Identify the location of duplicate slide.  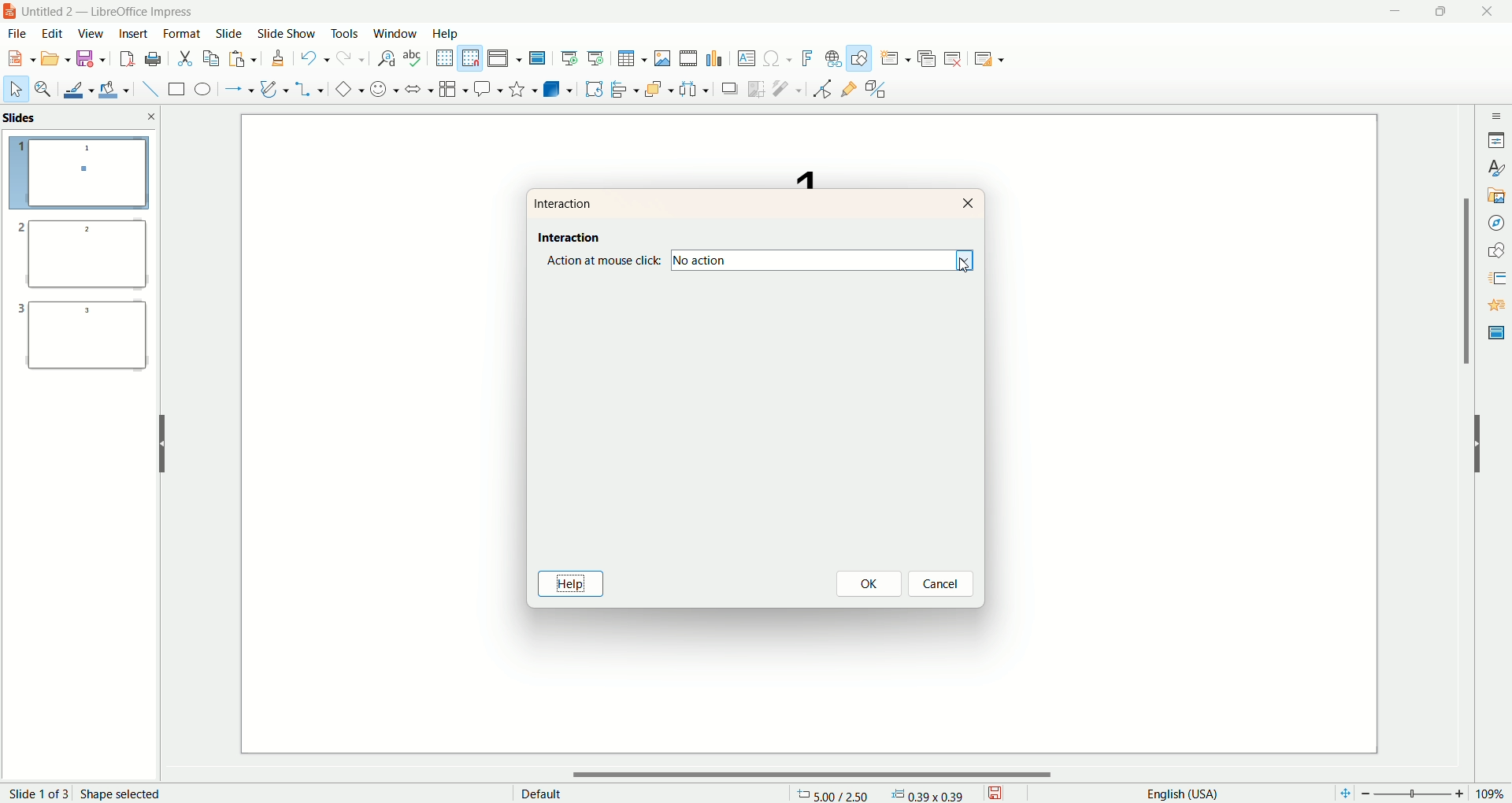
(928, 56).